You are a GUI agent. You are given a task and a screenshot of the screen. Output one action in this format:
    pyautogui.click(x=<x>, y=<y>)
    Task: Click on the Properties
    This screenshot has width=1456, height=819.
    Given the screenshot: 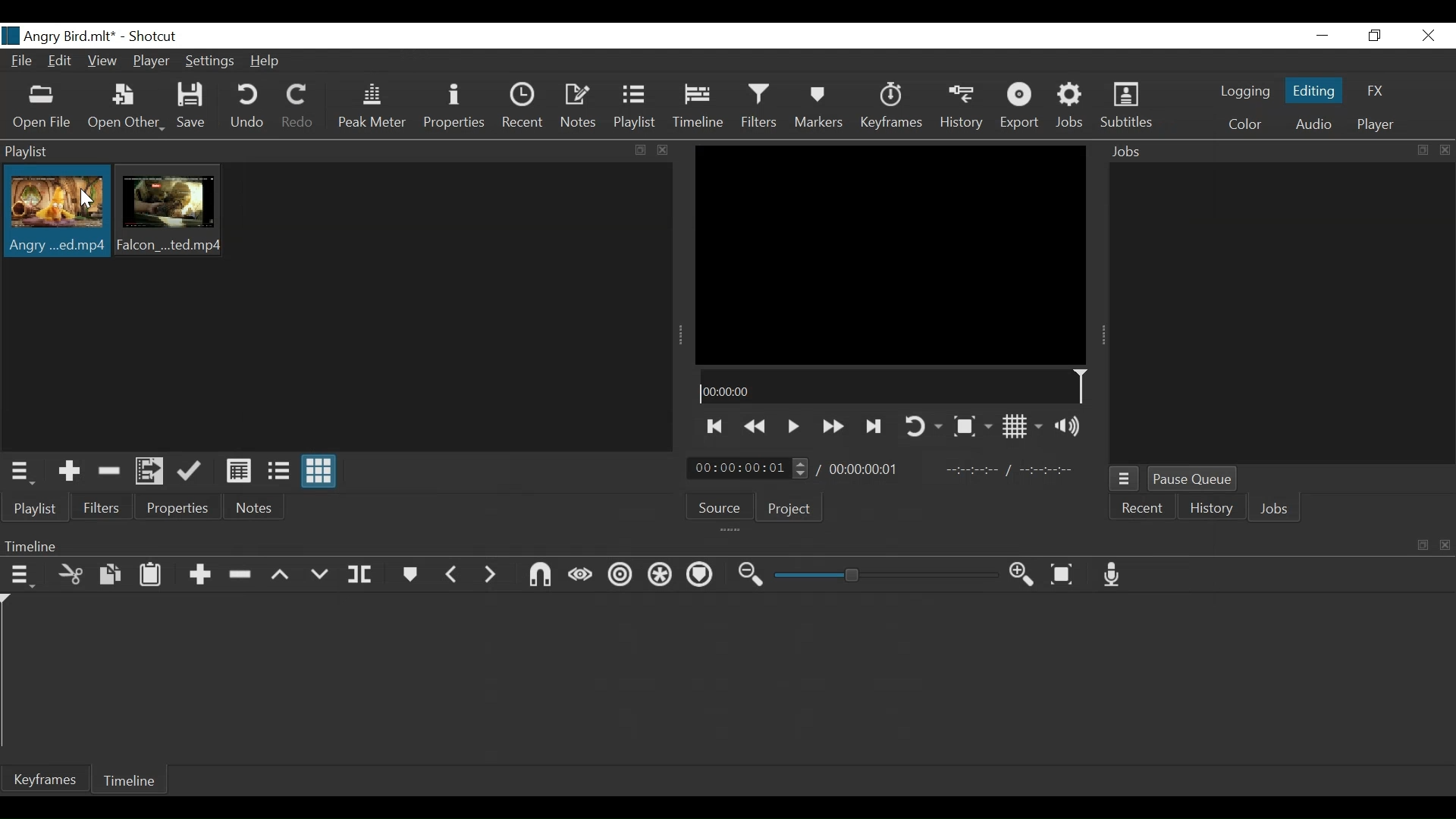 What is the action you would take?
    pyautogui.click(x=176, y=507)
    